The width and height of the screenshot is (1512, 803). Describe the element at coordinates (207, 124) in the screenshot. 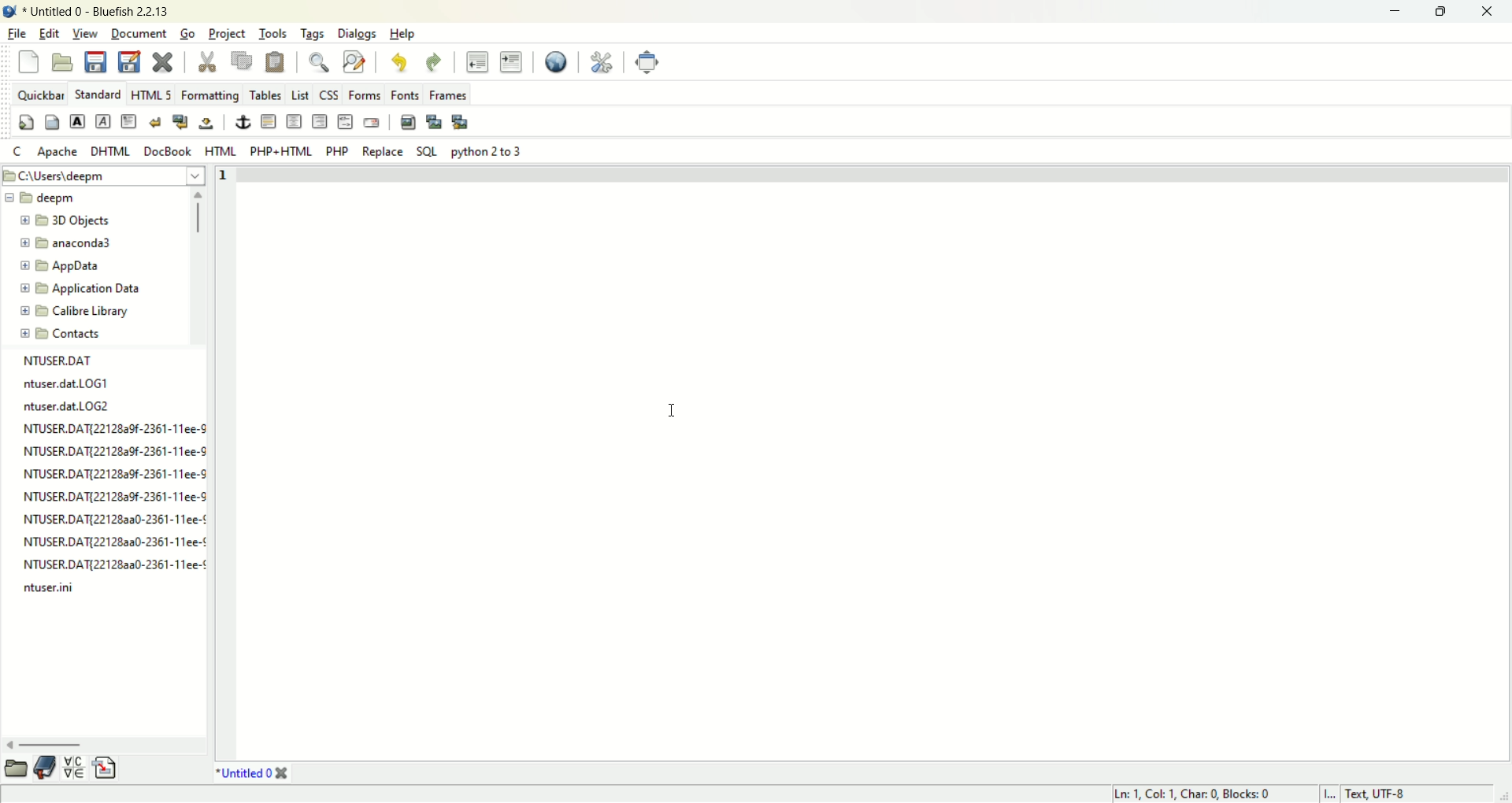

I see `non breaking space` at that location.